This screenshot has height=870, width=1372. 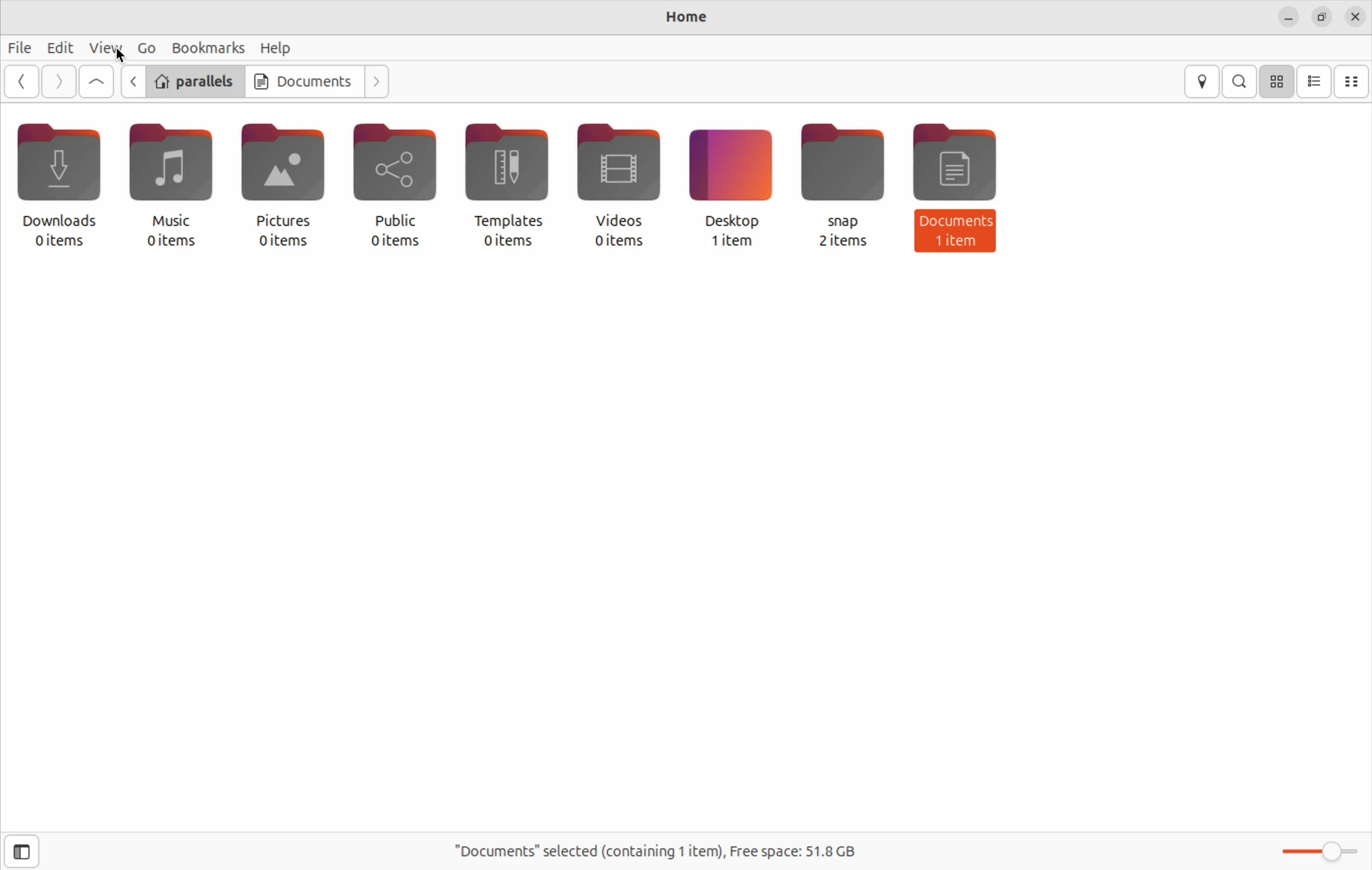 I want to click on compact view, so click(x=1355, y=80).